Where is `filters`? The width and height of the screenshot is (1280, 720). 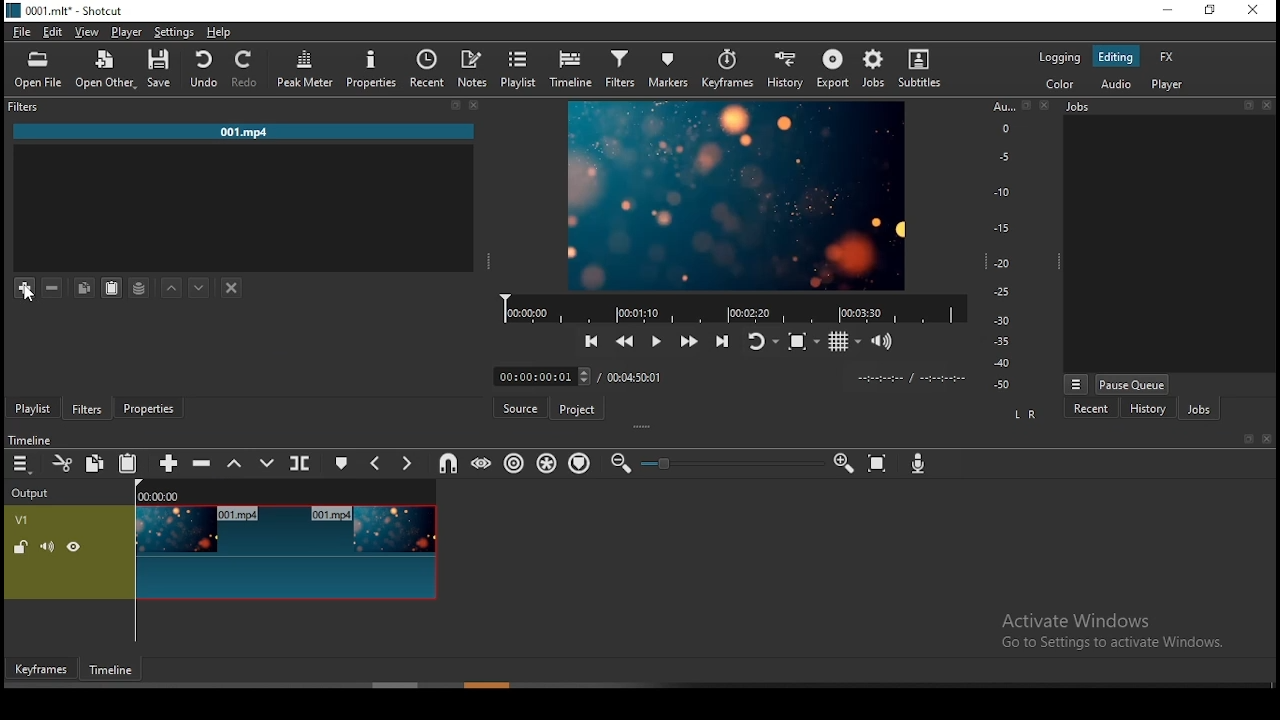
filters is located at coordinates (91, 408).